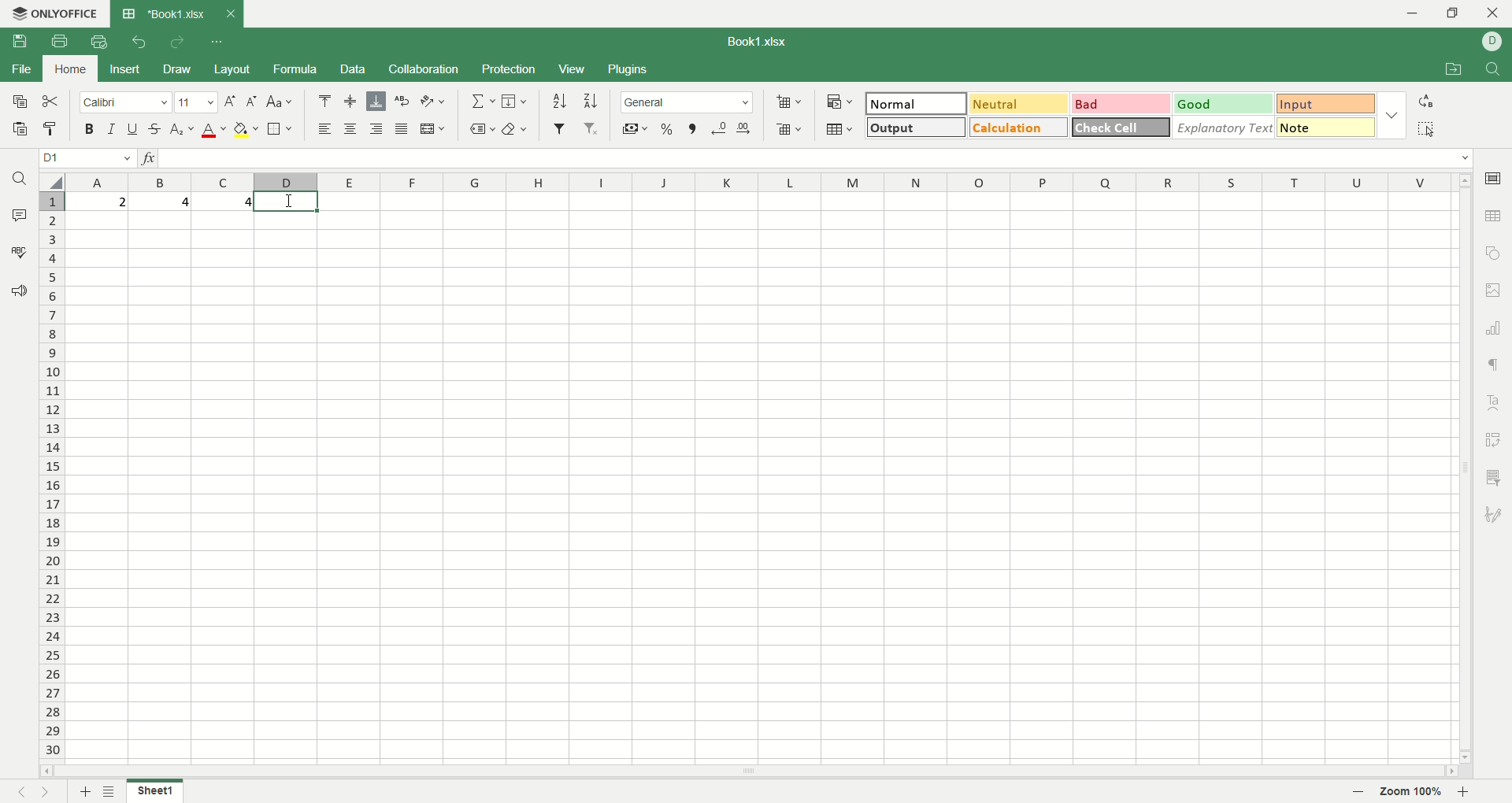 Image resolution: width=1512 pixels, height=803 pixels. I want to click on case, so click(280, 101).